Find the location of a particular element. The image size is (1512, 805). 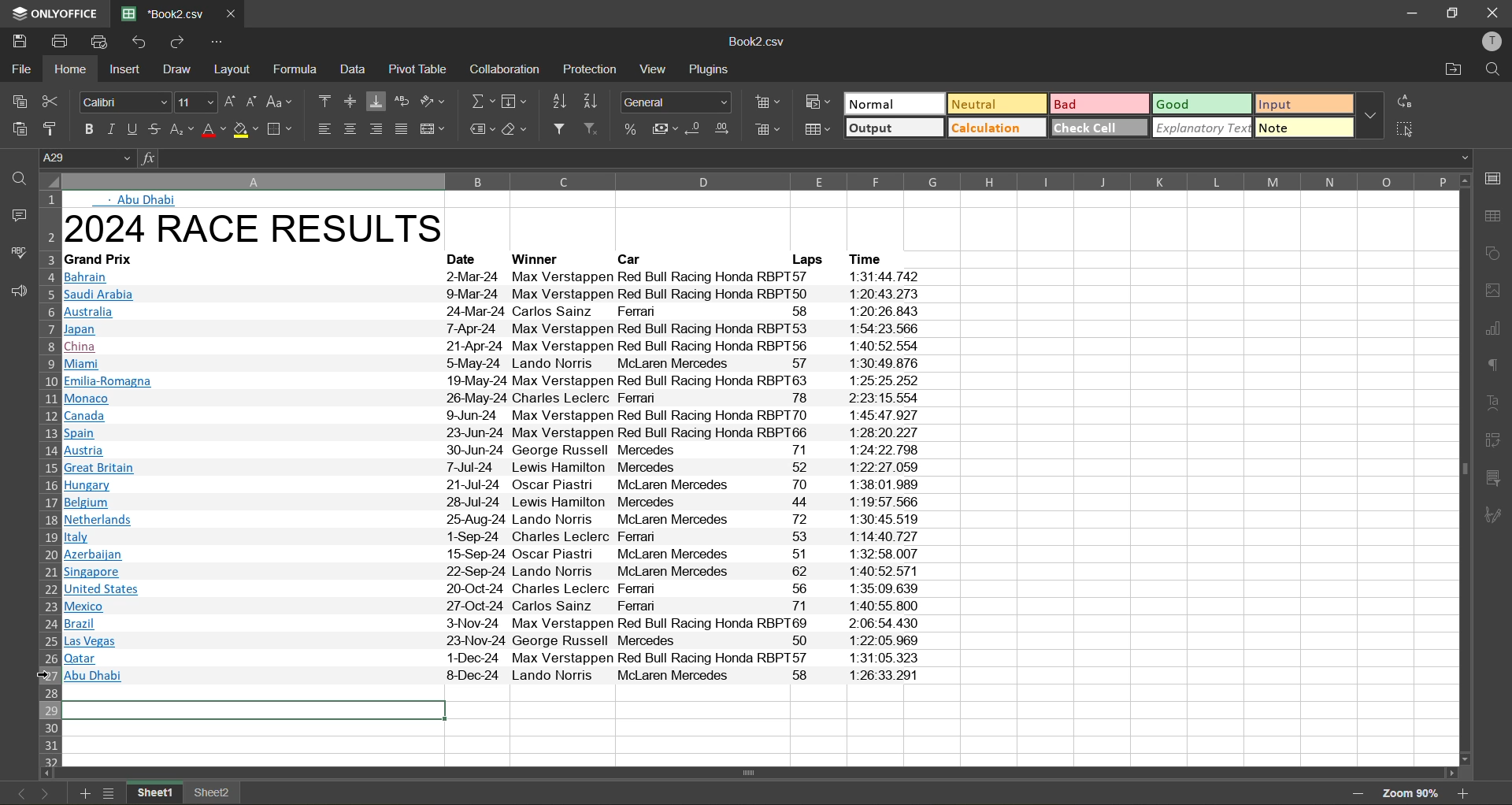

select all cells is located at coordinates (47, 182).